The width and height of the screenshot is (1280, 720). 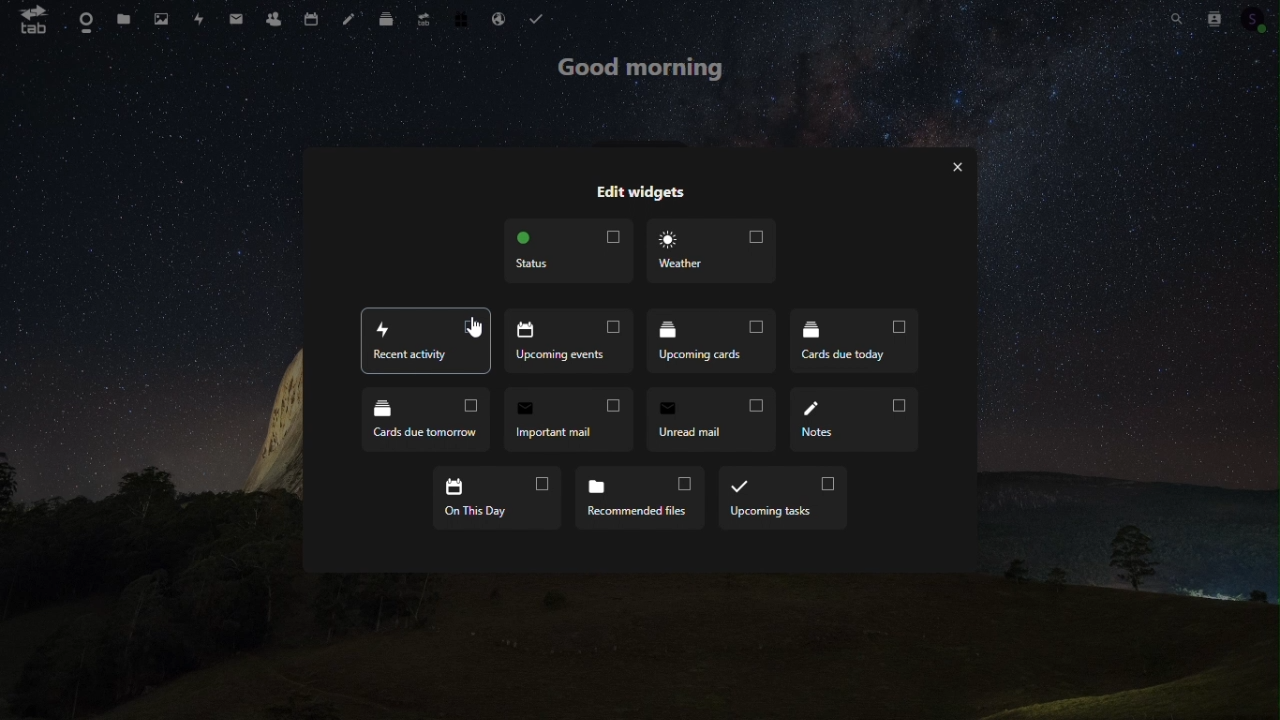 What do you see at coordinates (639, 193) in the screenshot?
I see `Edit widgets` at bounding box center [639, 193].